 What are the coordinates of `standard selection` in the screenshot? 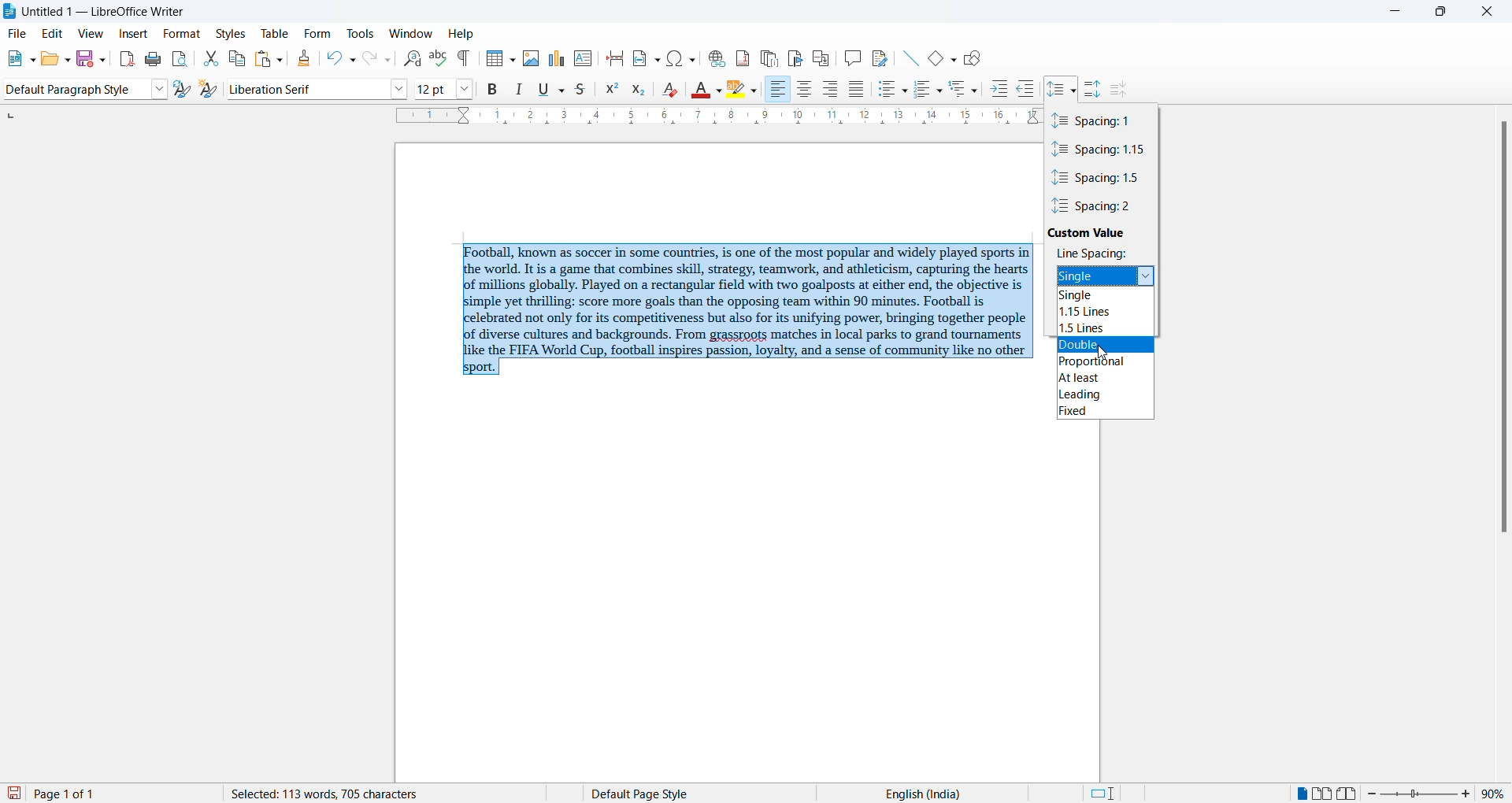 It's located at (1106, 793).